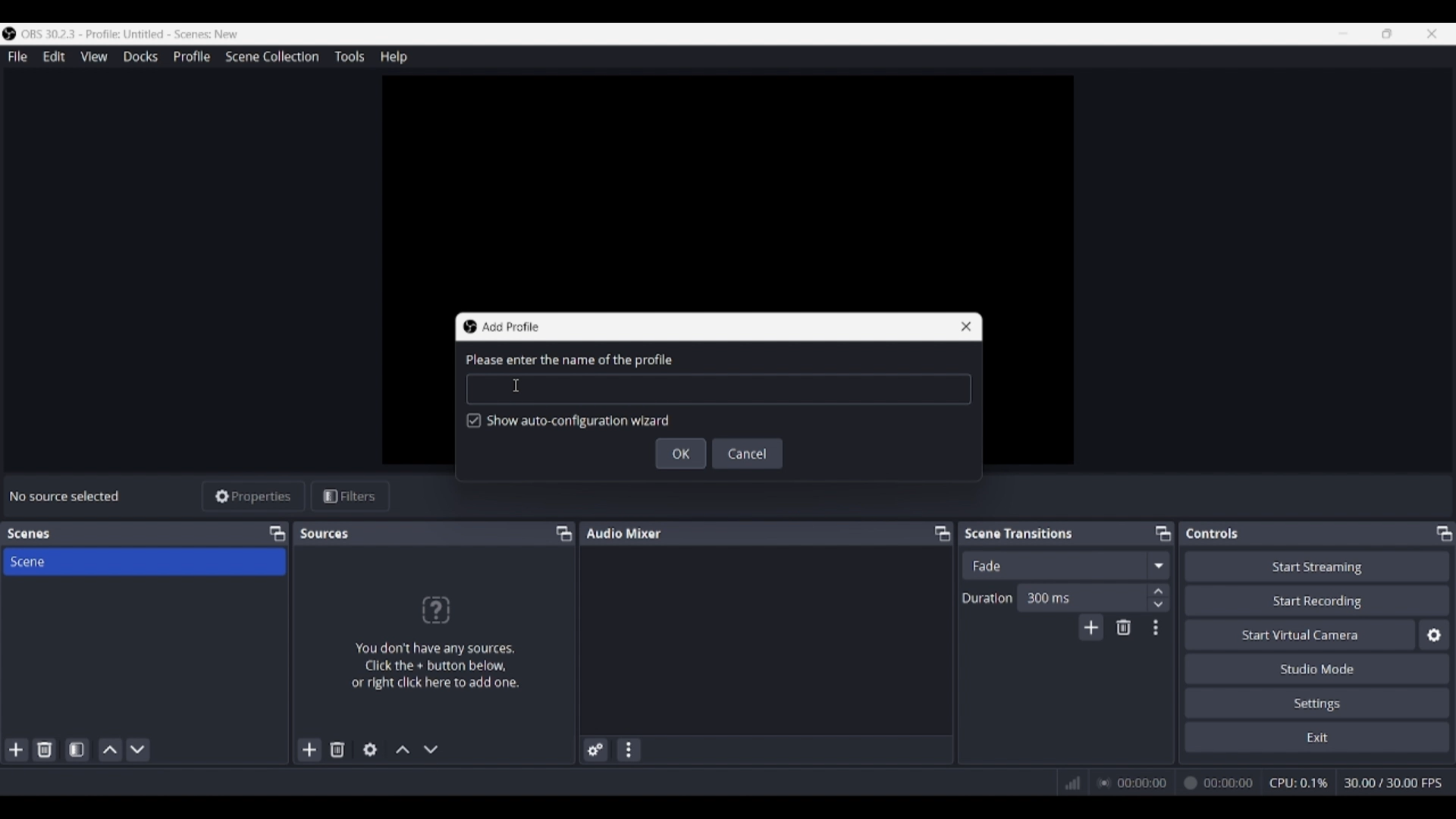 This screenshot has height=819, width=1456. What do you see at coordinates (1019, 532) in the screenshot?
I see `Panel title` at bounding box center [1019, 532].